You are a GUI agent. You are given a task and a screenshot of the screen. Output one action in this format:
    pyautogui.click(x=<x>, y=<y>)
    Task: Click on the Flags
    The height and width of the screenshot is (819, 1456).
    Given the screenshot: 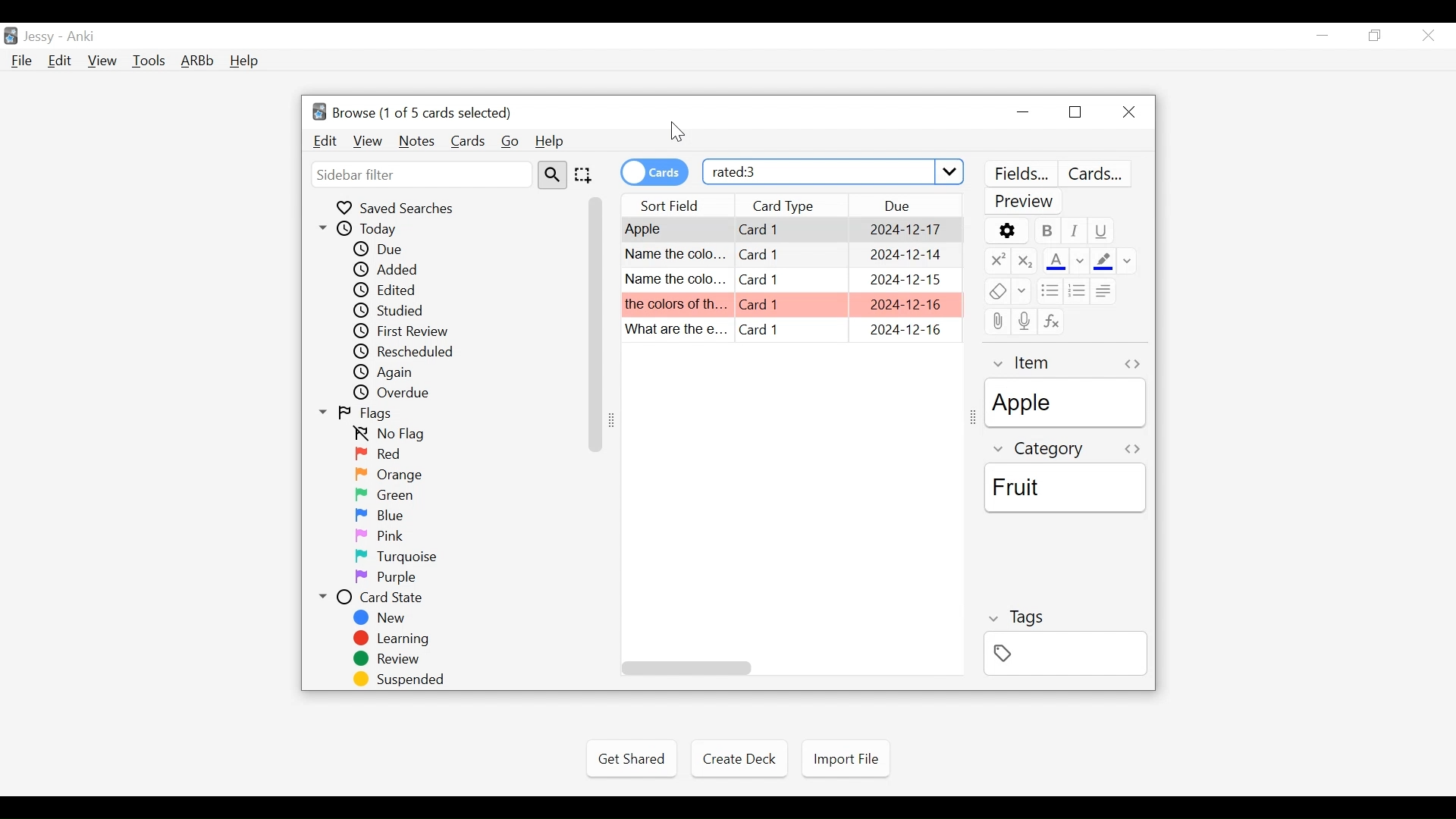 What is the action you would take?
    pyautogui.click(x=366, y=414)
    